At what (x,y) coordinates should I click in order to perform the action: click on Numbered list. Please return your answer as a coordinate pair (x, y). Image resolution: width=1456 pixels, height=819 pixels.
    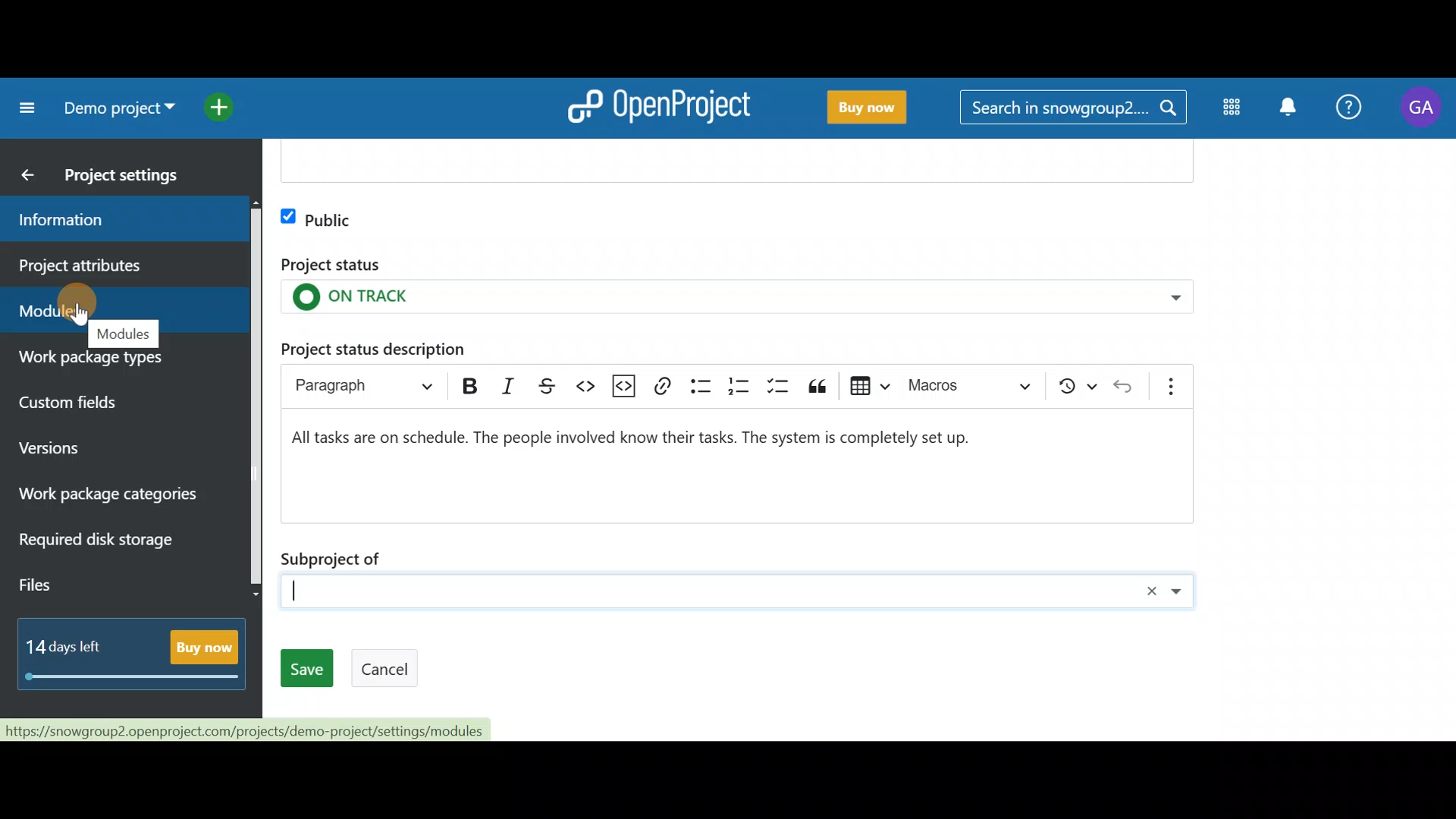
    Looking at the image, I should click on (734, 387).